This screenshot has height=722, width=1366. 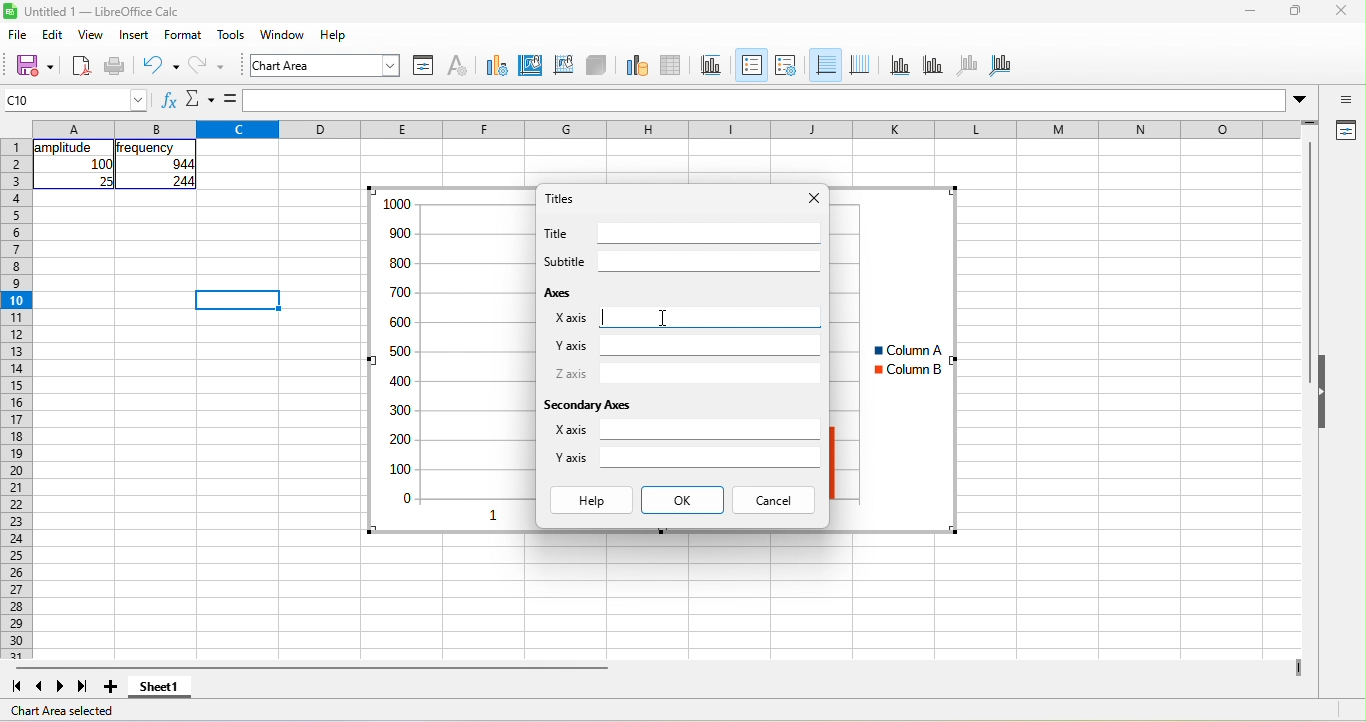 I want to click on x axis, so click(x=900, y=66).